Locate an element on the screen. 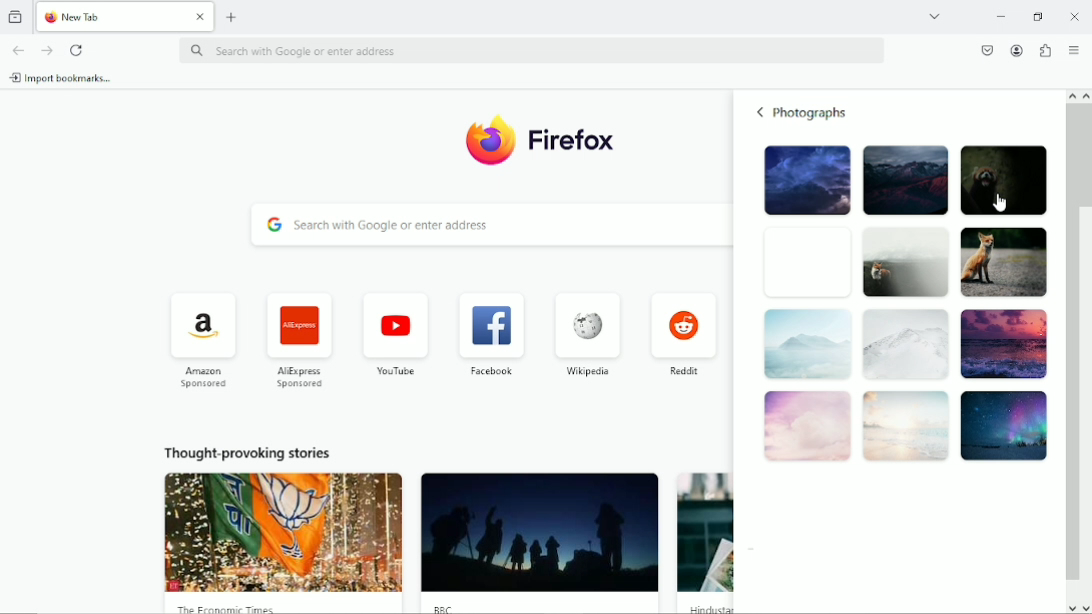 This screenshot has height=614, width=1092. Photograph is located at coordinates (903, 262).